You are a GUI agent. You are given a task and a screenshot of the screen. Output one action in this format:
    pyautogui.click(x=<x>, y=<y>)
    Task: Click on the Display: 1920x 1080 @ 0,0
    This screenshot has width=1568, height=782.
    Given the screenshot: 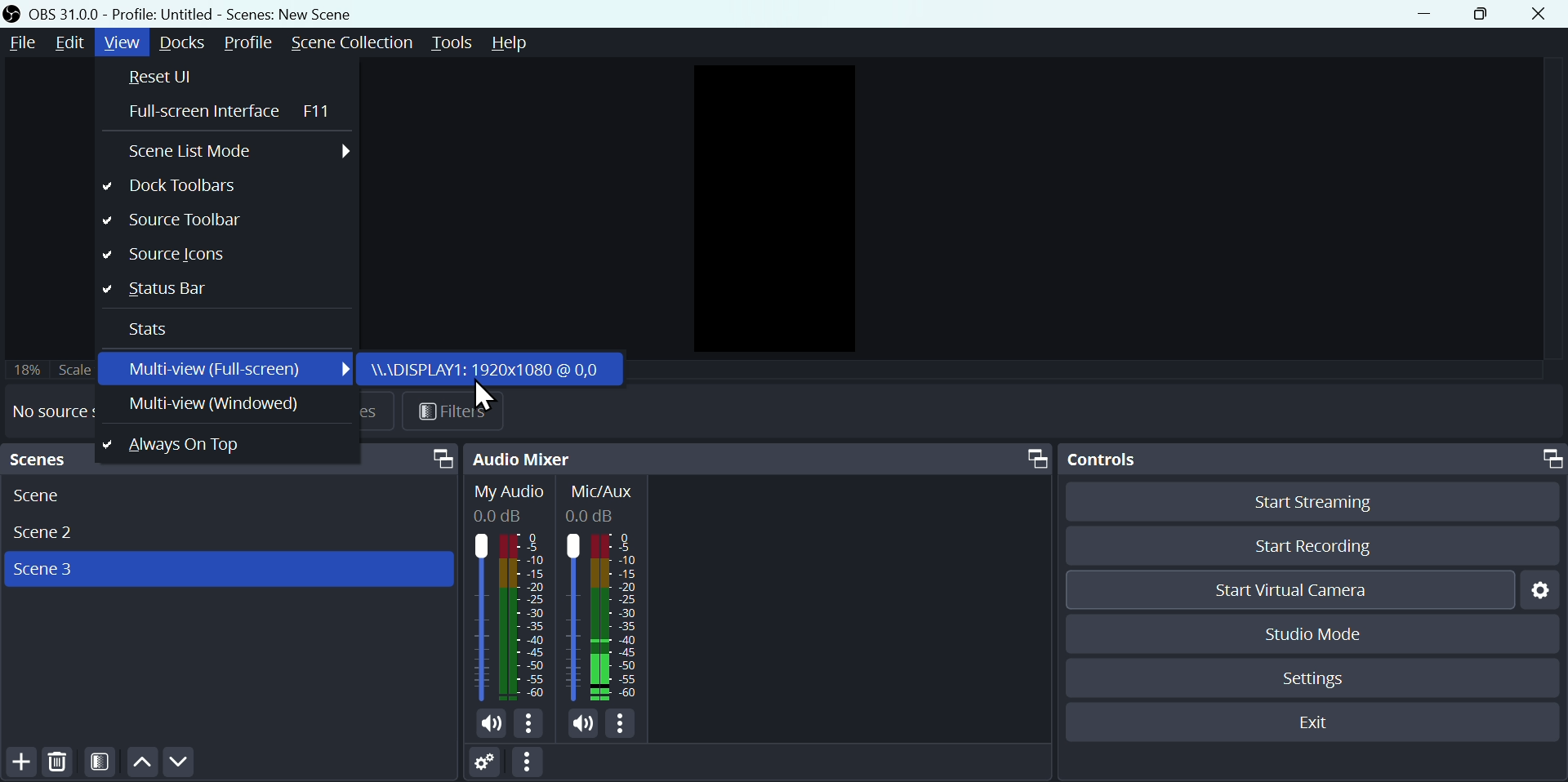 What is the action you would take?
    pyautogui.click(x=494, y=369)
    